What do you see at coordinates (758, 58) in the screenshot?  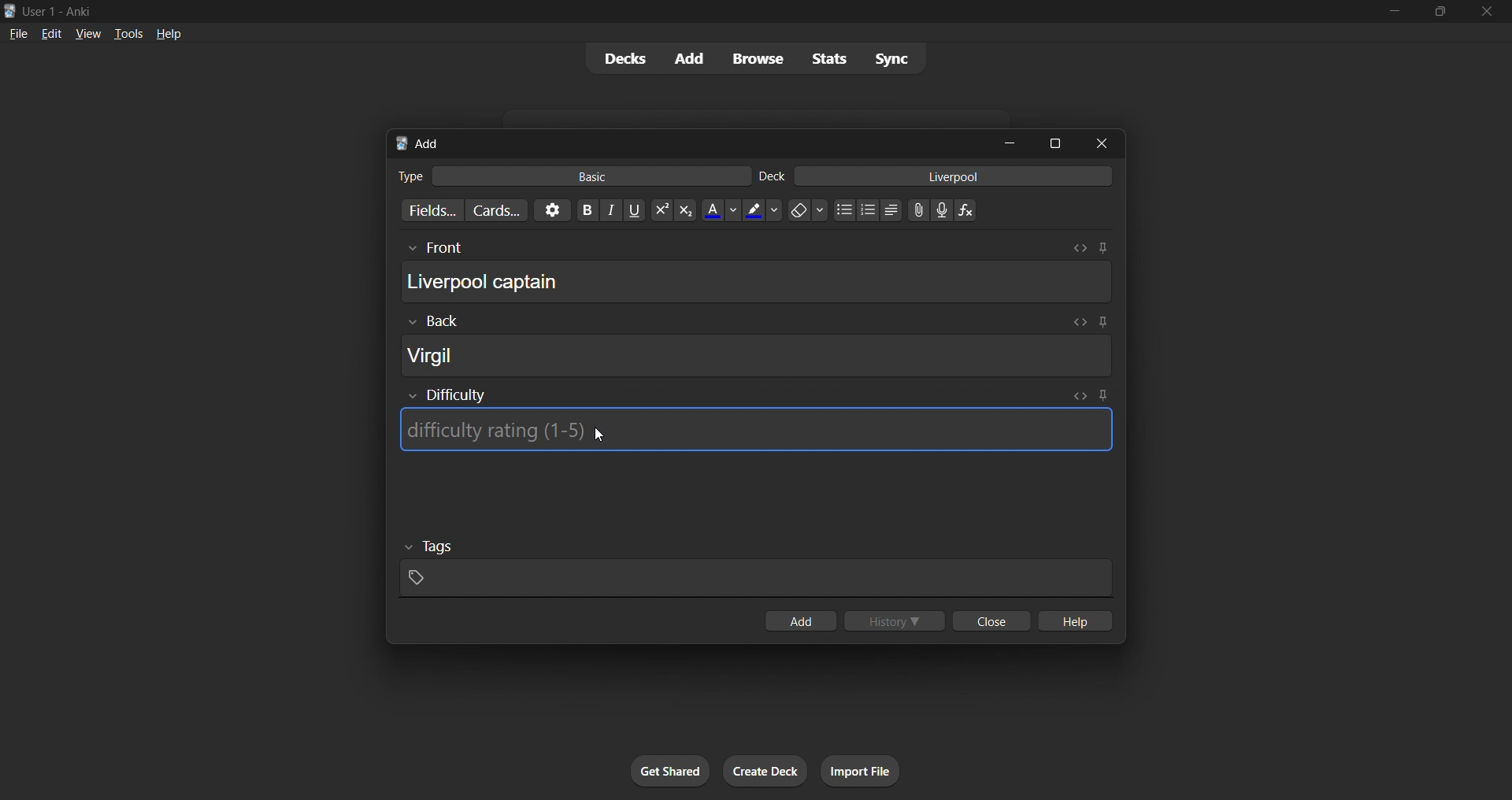 I see `browse` at bounding box center [758, 58].